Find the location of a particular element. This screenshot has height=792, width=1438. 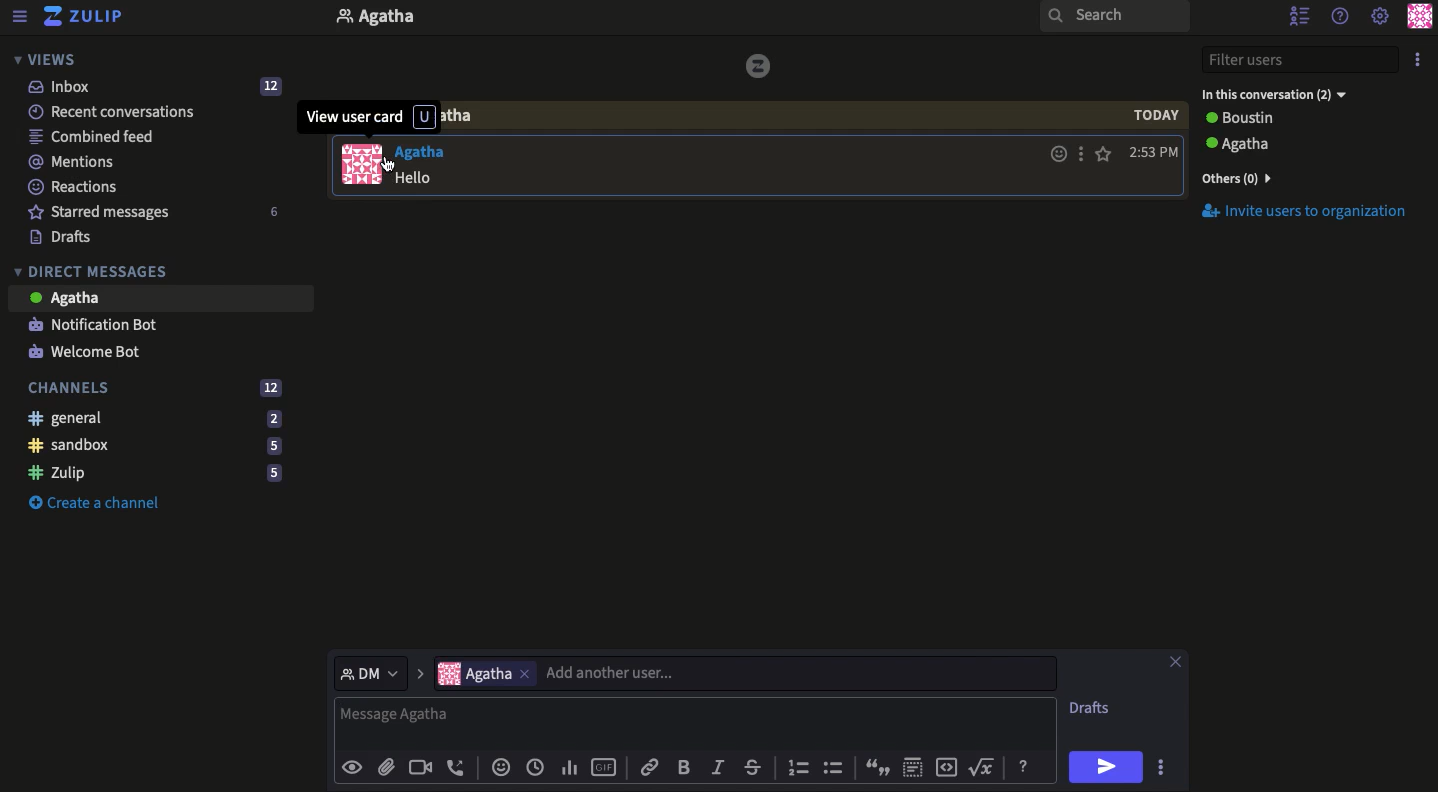

Welcome bot is located at coordinates (93, 351).